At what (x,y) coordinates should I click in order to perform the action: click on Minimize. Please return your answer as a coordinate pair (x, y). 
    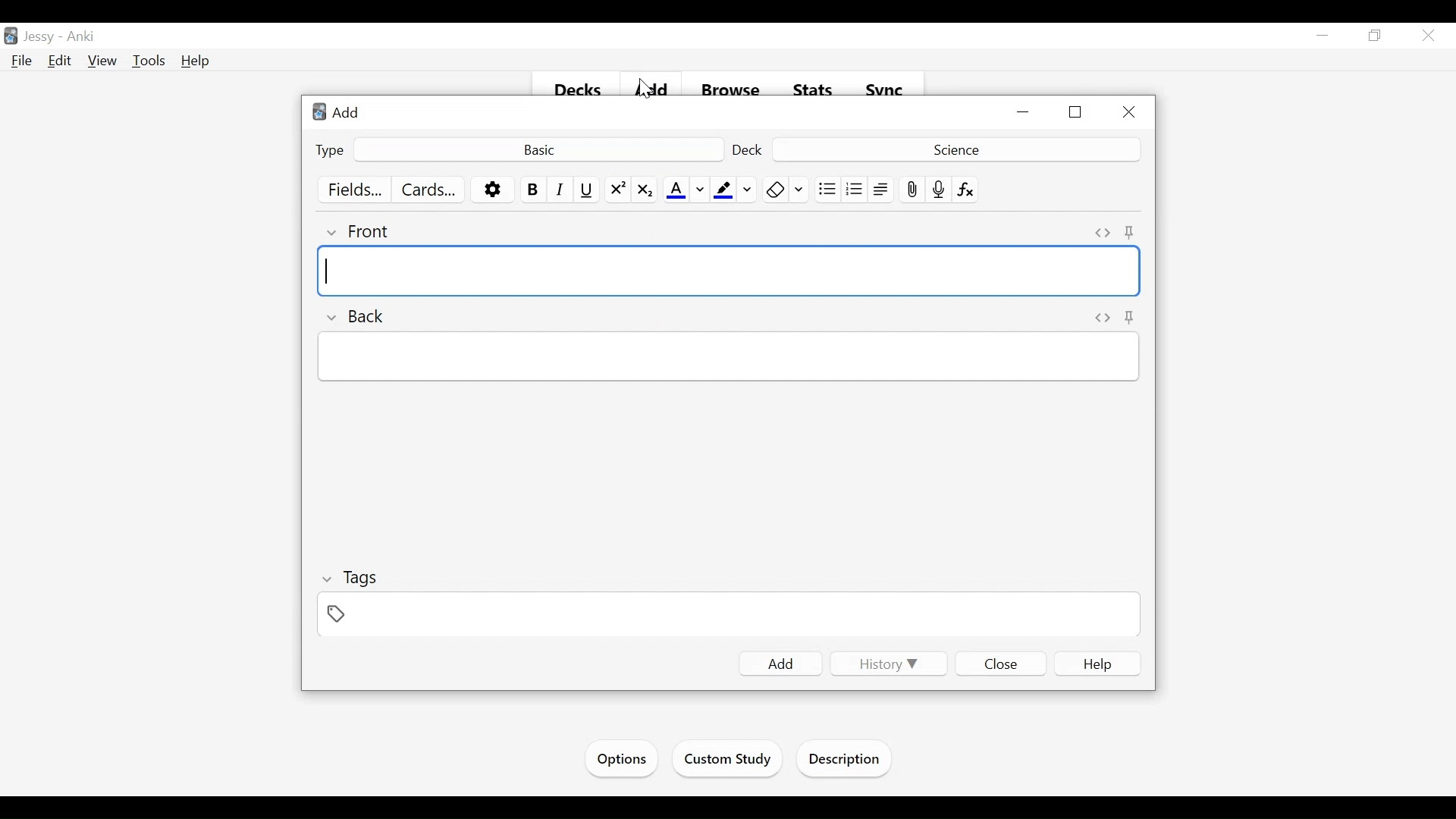
    Looking at the image, I should click on (1025, 113).